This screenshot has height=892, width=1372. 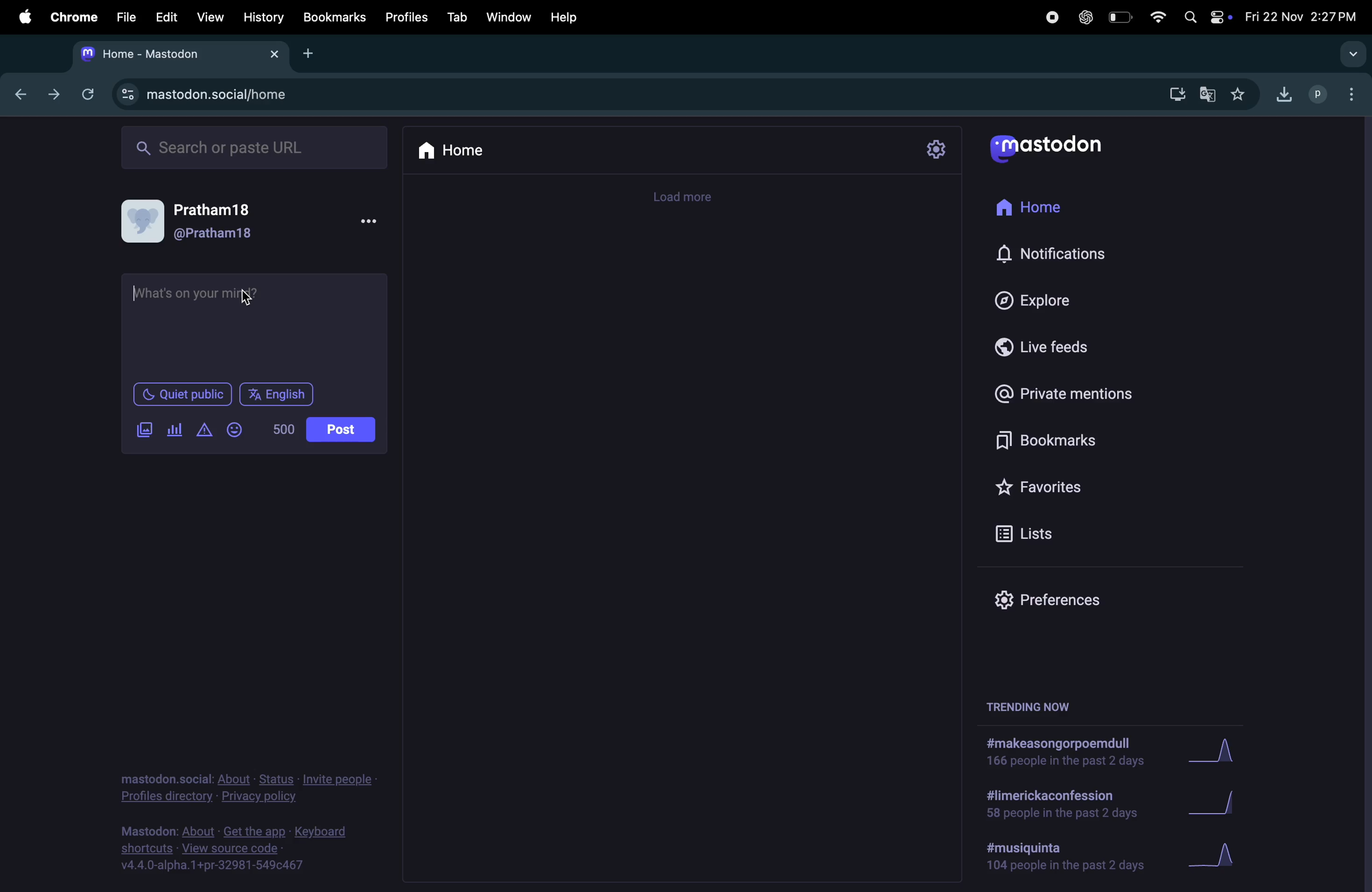 What do you see at coordinates (1177, 92) in the screenshot?
I see `downloads` at bounding box center [1177, 92].